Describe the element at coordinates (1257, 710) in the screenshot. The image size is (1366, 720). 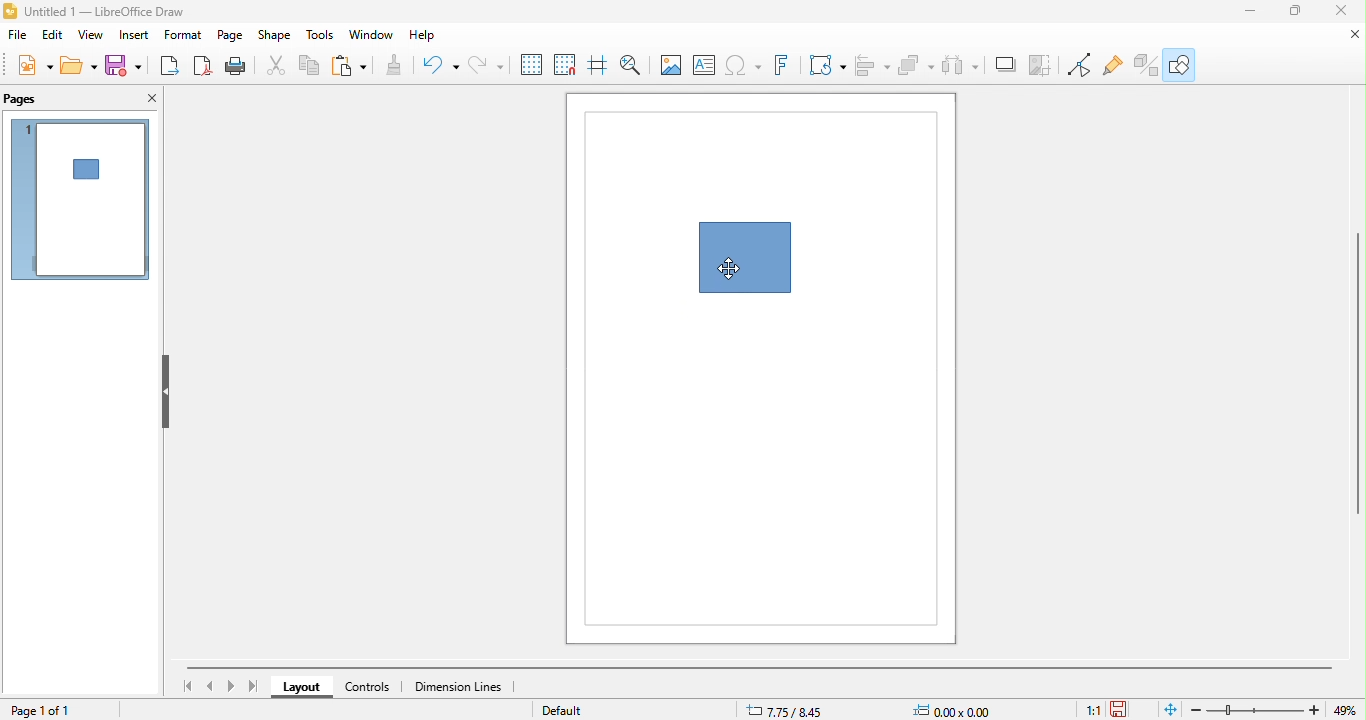
I see `zoom` at that location.